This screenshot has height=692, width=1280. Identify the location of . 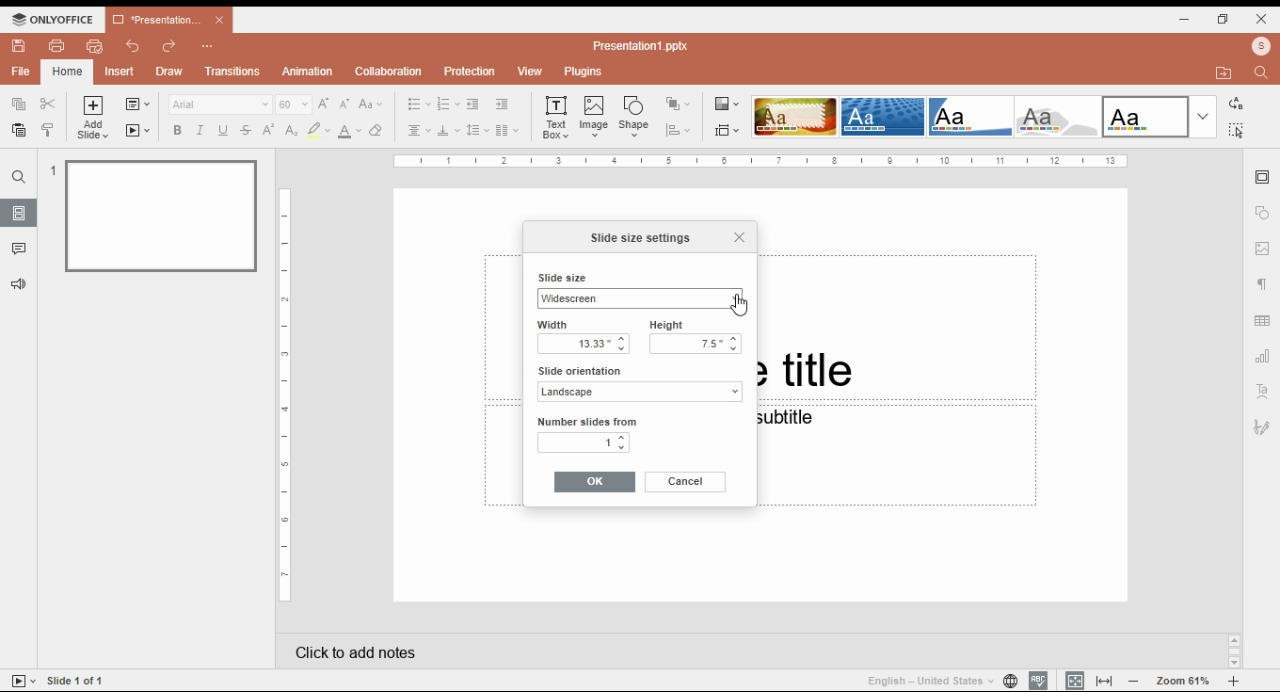
(1265, 428).